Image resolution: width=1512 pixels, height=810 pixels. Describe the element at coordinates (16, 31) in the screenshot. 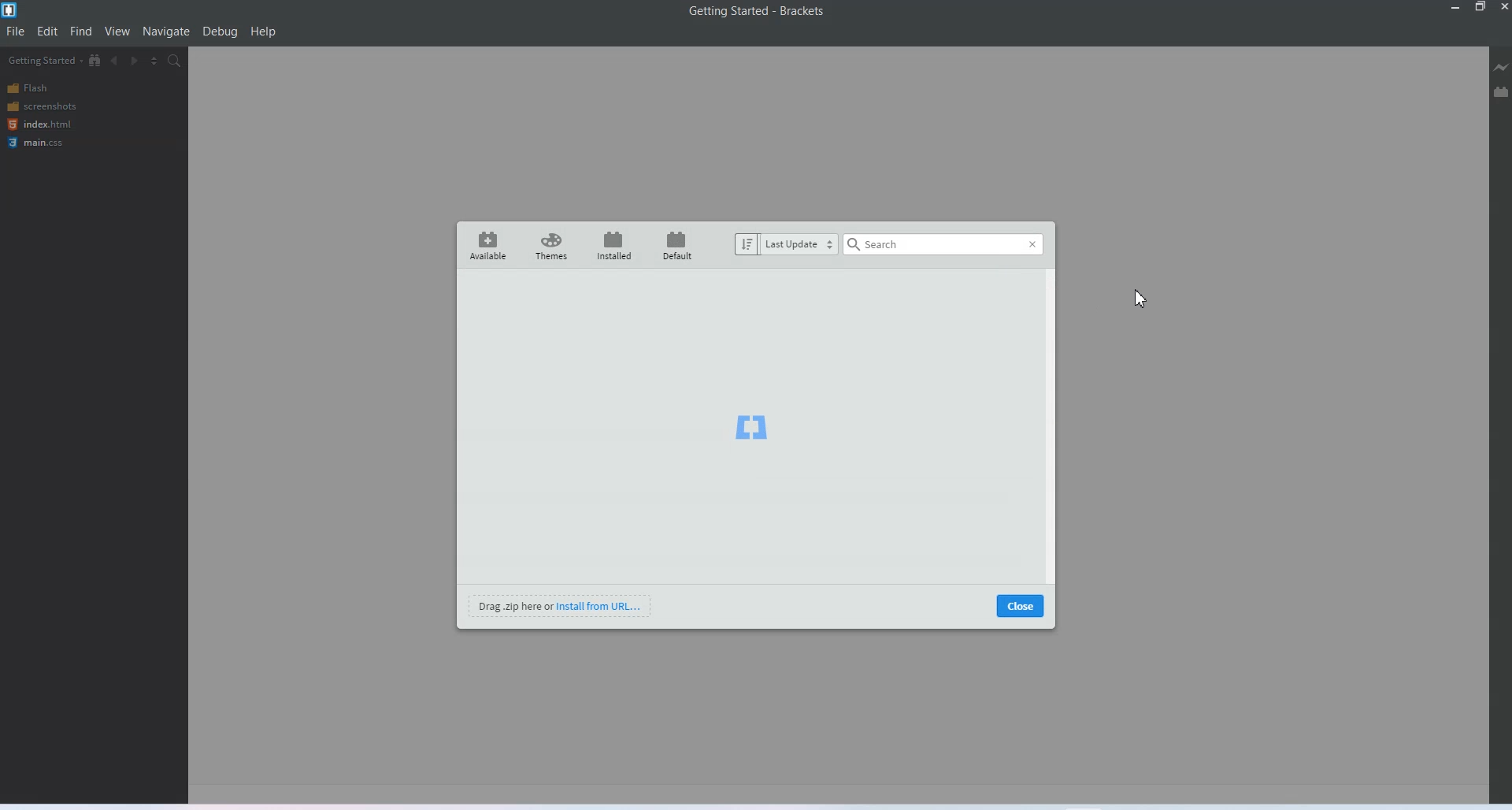

I see `File` at that location.